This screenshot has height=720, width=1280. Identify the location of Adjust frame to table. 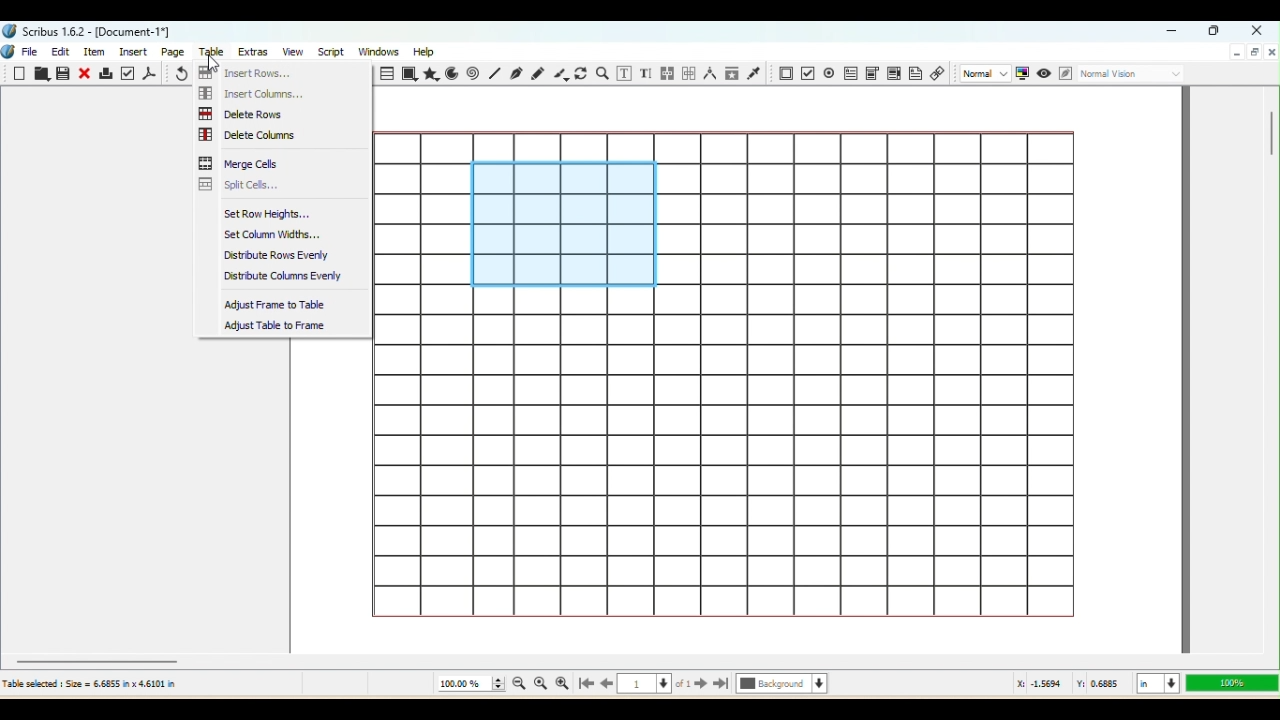
(274, 305).